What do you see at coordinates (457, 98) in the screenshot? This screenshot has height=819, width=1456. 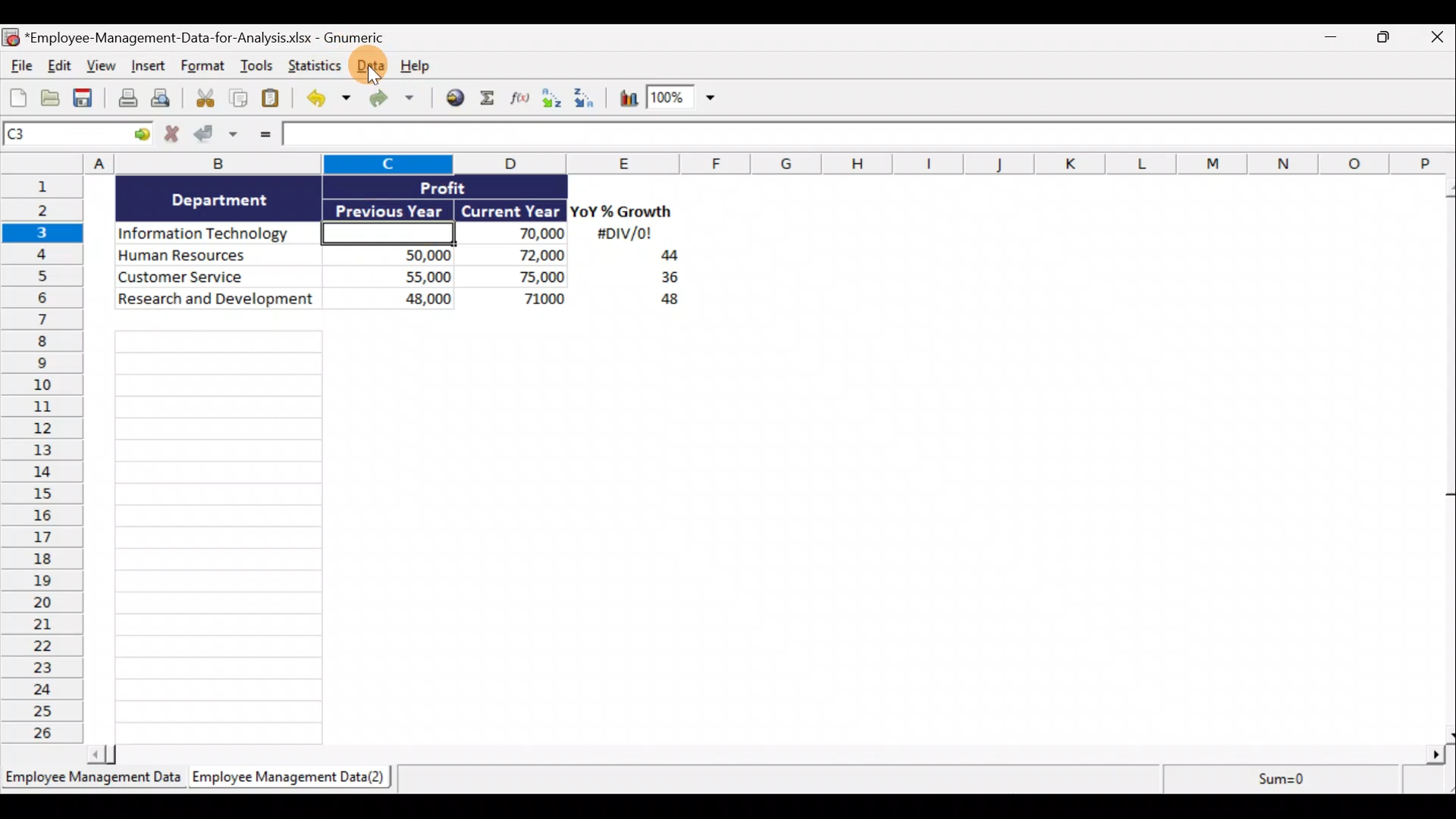 I see `Insert hyperlink` at bounding box center [457, 98].